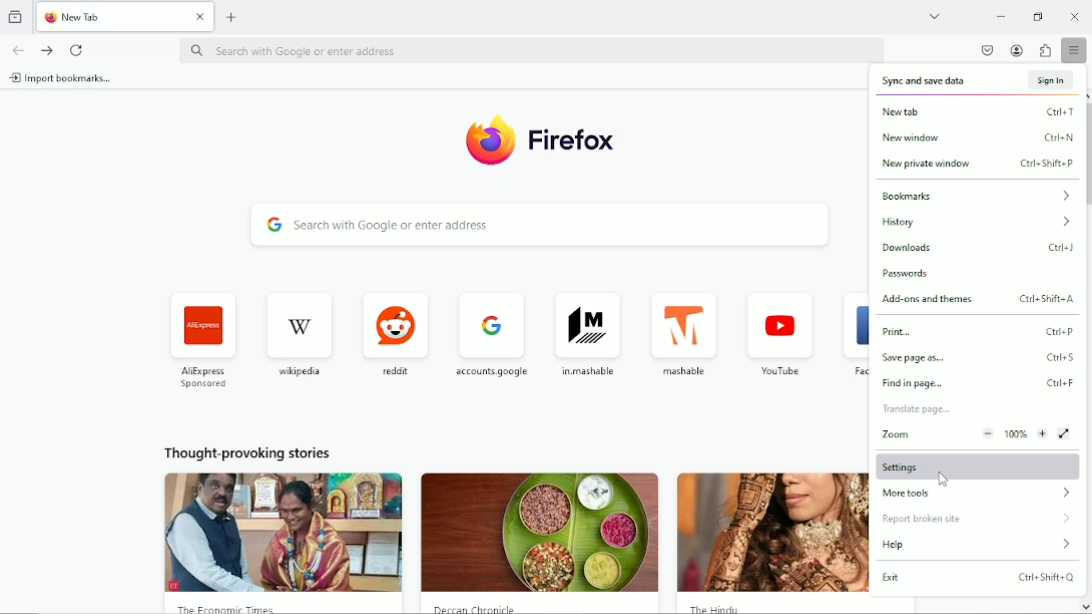  What do you see at coordinates (1001, 15) in the screenshot?
I see `minimize` at bounding box center [1001, 15].